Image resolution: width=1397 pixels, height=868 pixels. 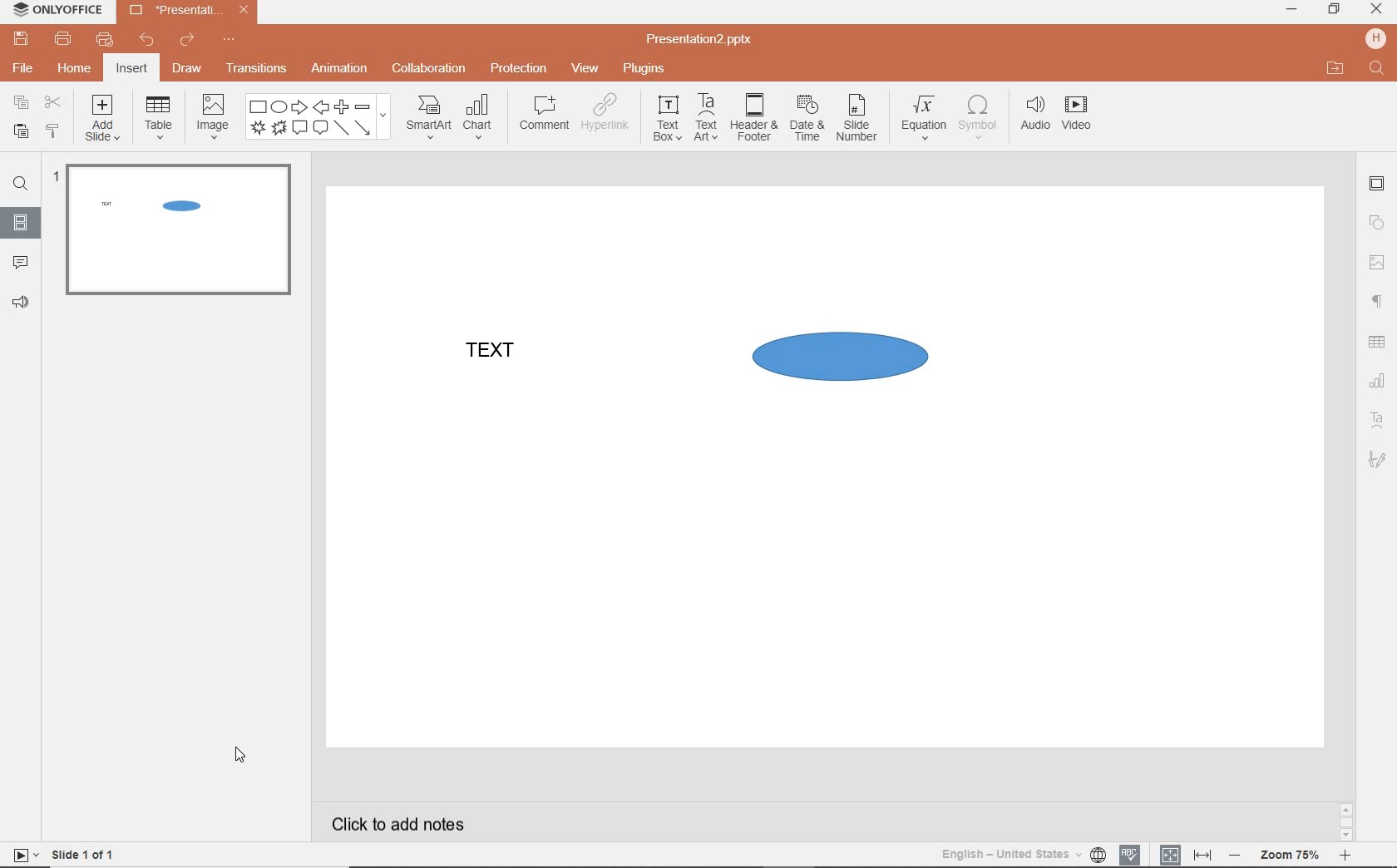 What do you see at coordinates (518, 68) in the screenshot?
I see `protection` at bounding box center [518, 68].